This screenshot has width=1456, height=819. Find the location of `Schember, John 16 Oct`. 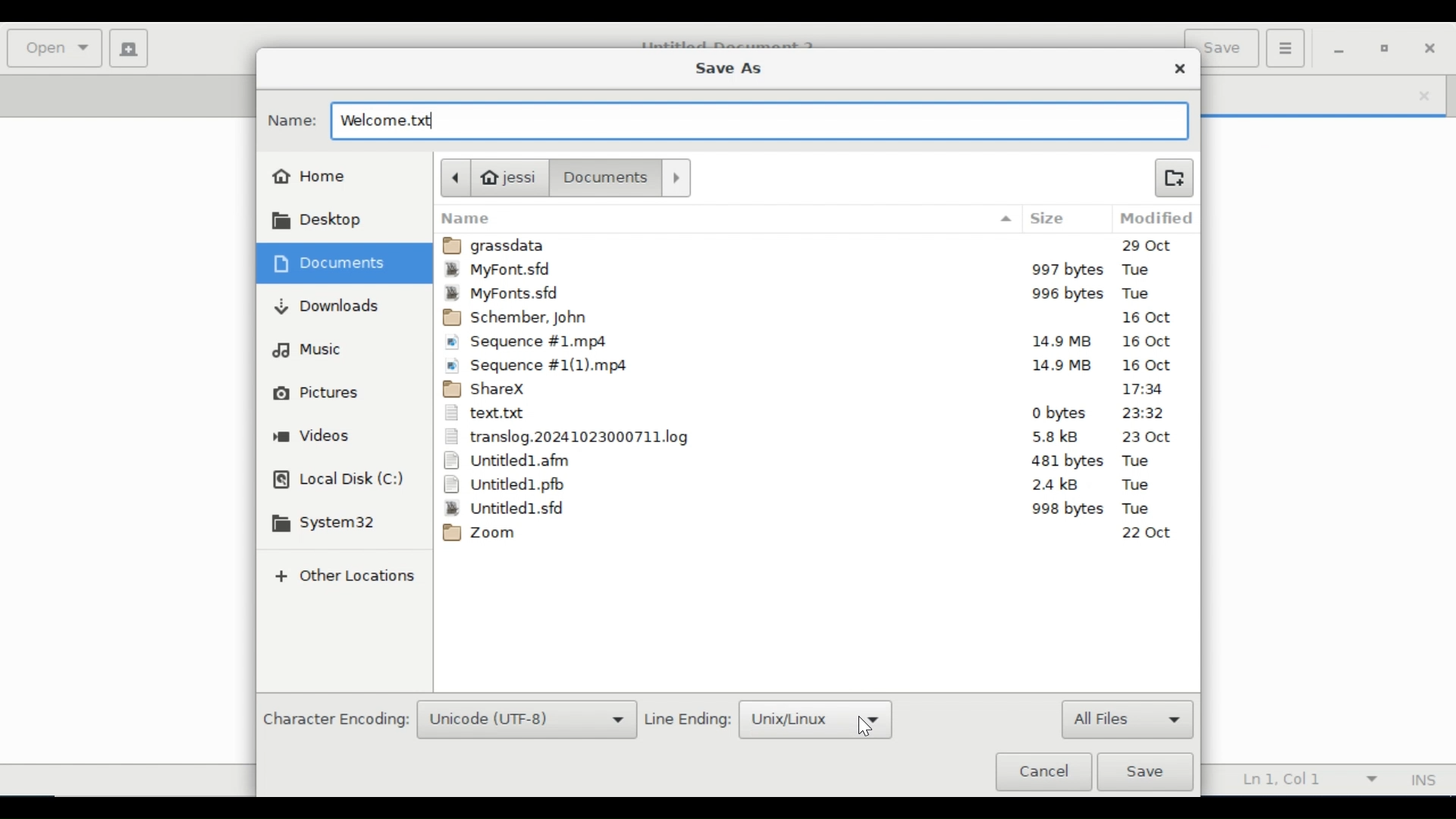

Schember, John 16 Oct is located at coordinates (813, 318).